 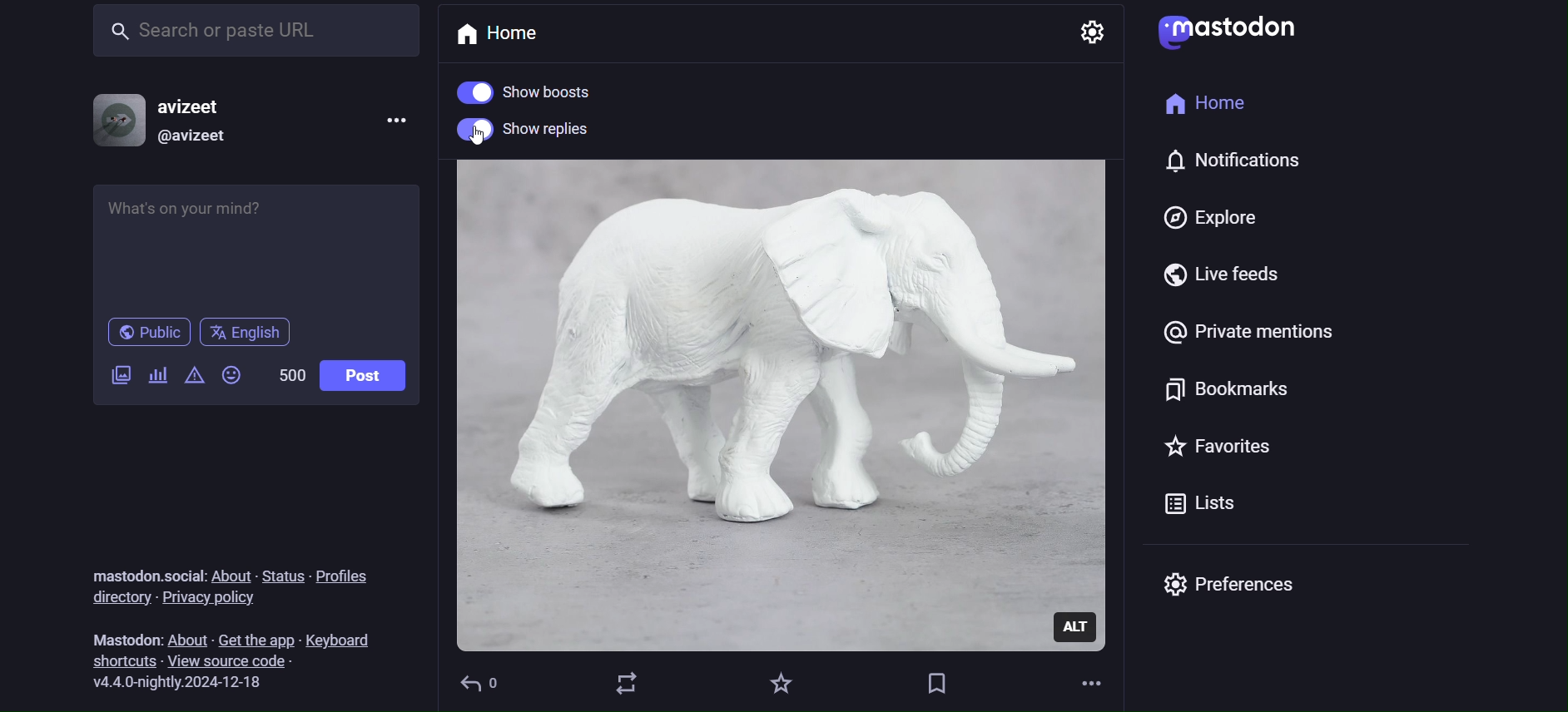 I want to click on view source code, so click(x=241, y=661).